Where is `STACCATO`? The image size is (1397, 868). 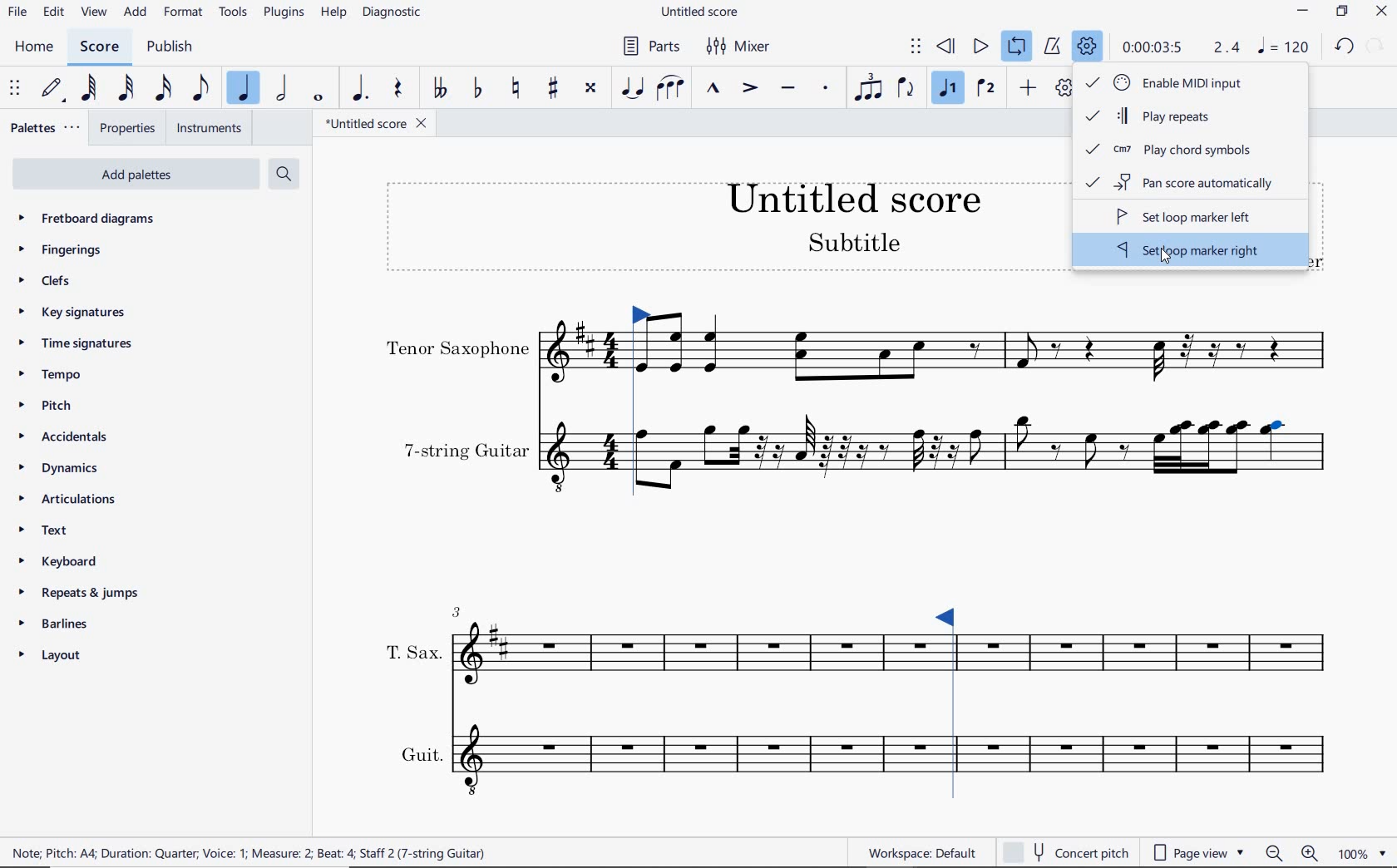
STACCATO is located at coordinates (825, 88).